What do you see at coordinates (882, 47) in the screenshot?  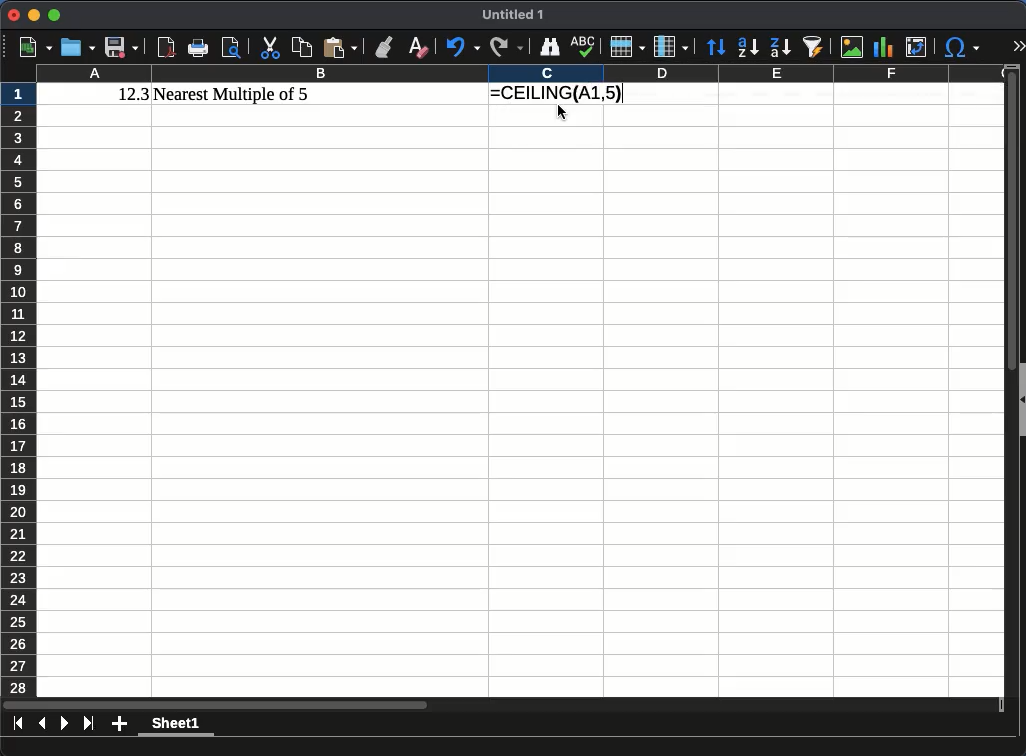 I see `chart` at bounding box center [882, 47].